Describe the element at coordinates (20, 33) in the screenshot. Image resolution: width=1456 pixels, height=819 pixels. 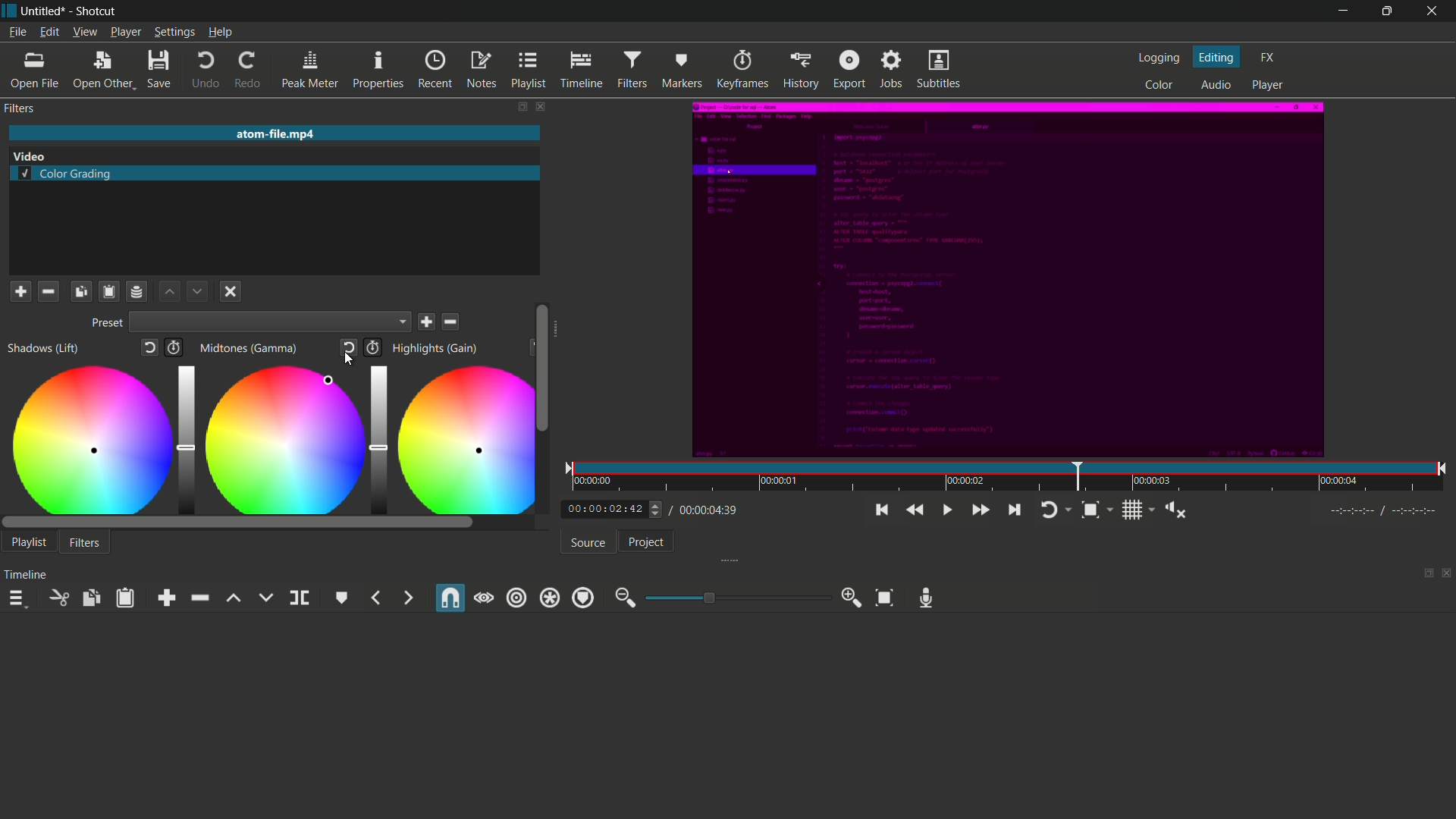
I see `file menu` at that location.